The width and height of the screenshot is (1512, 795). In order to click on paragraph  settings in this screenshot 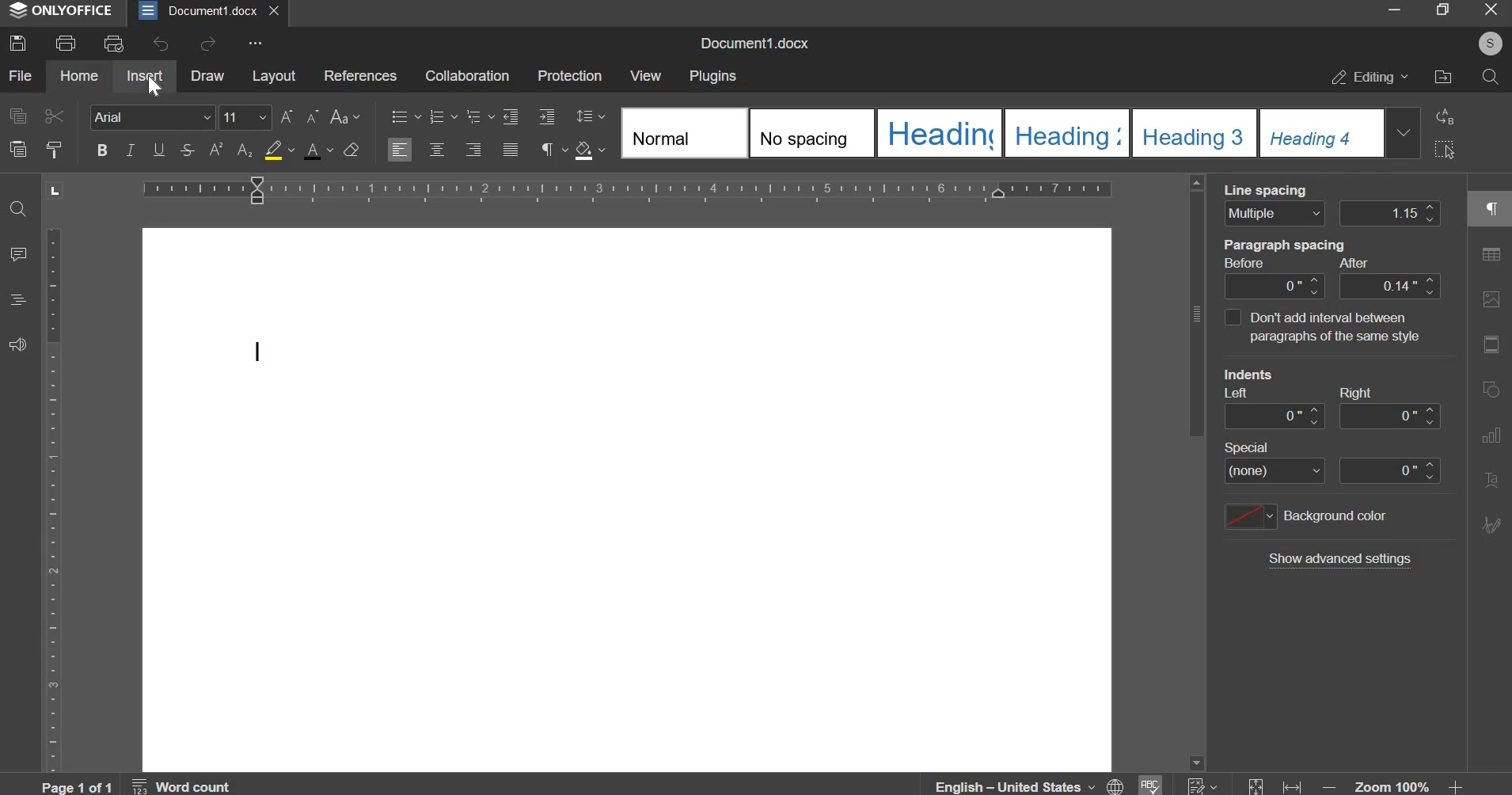, I will do `click(552, 150)`.